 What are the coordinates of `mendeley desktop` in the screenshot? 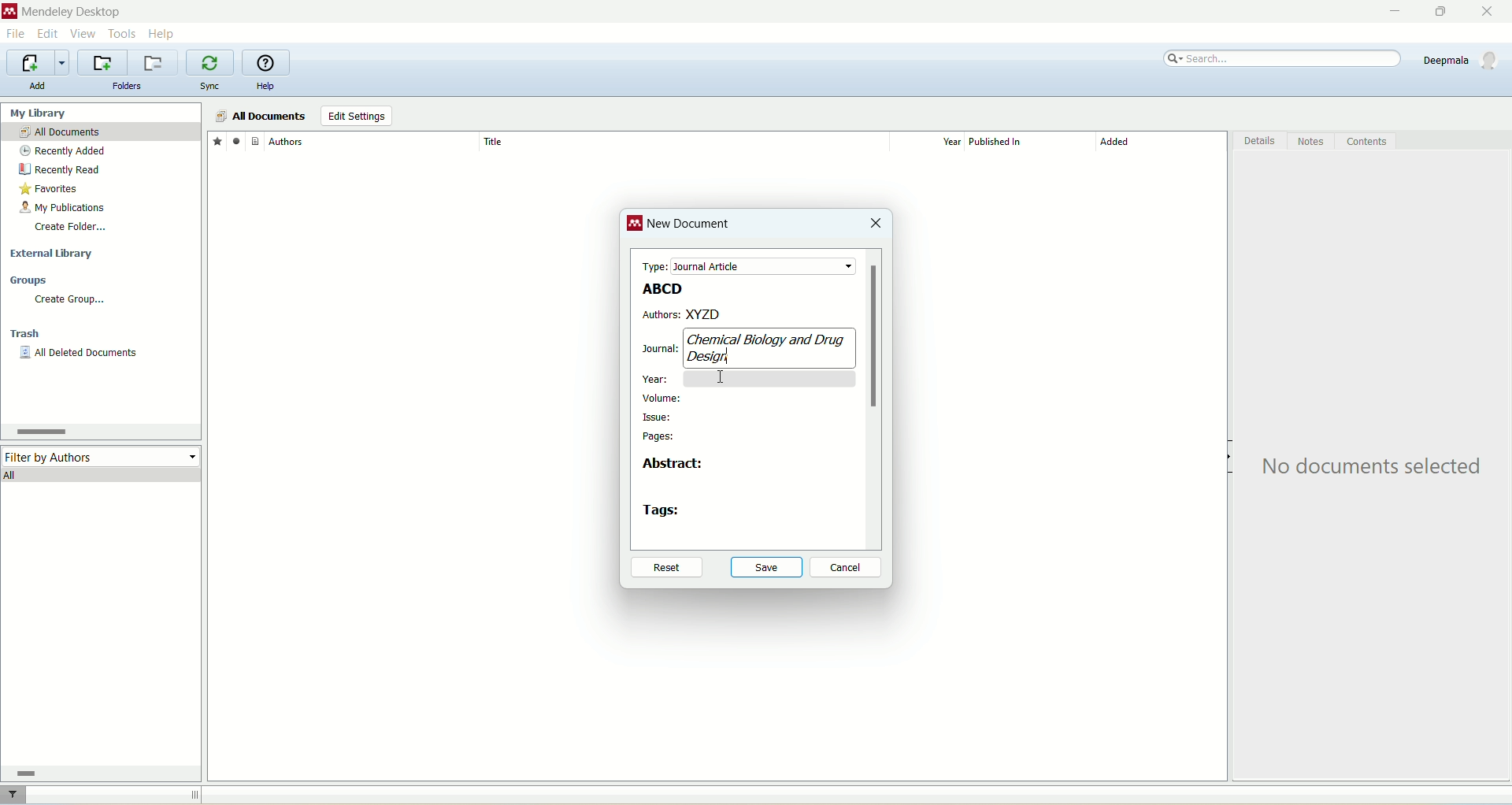 It's located at (69, 13).